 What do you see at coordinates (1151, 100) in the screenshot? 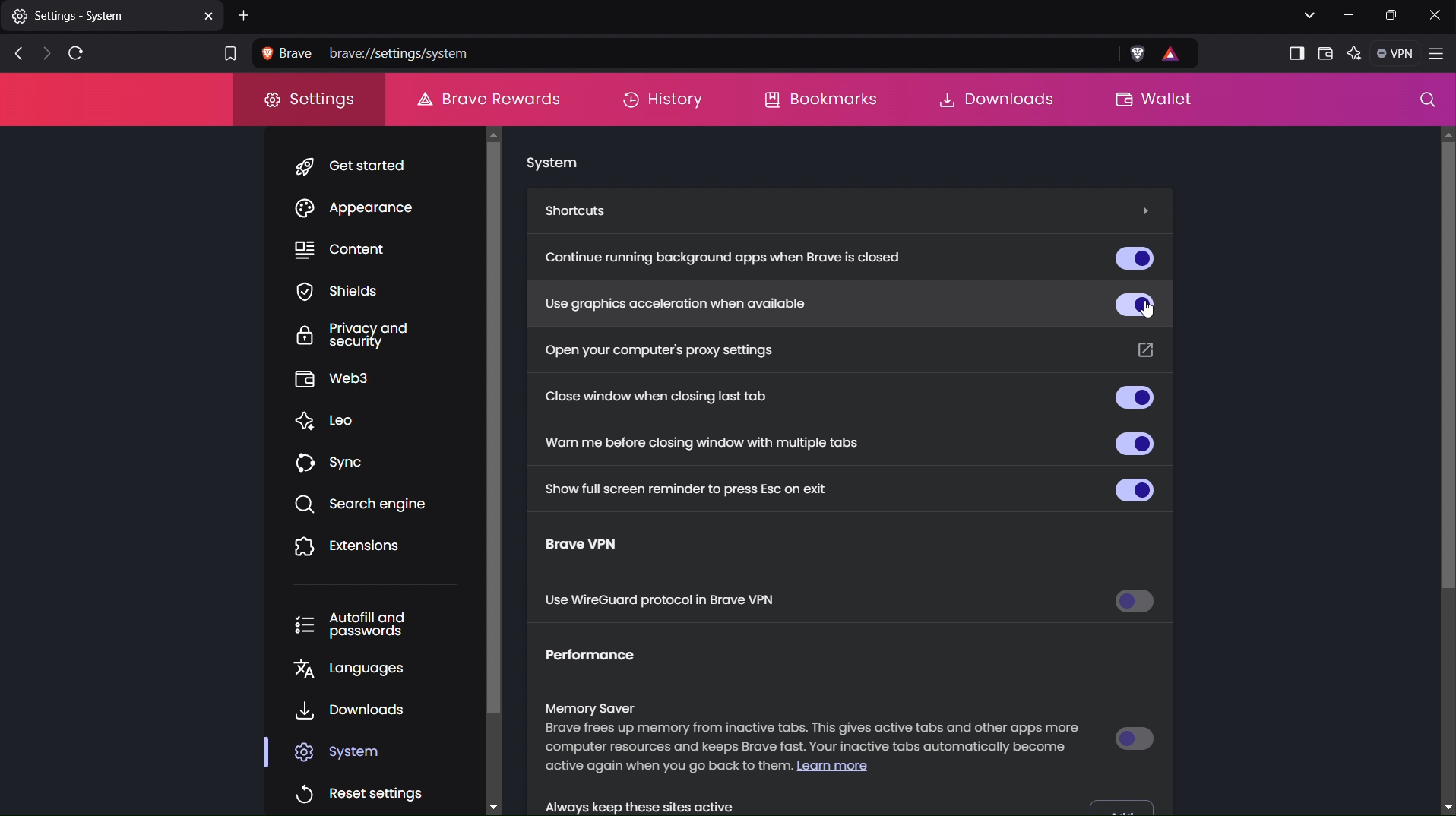
I see `Wallet` at bounding box center [1151, 100].